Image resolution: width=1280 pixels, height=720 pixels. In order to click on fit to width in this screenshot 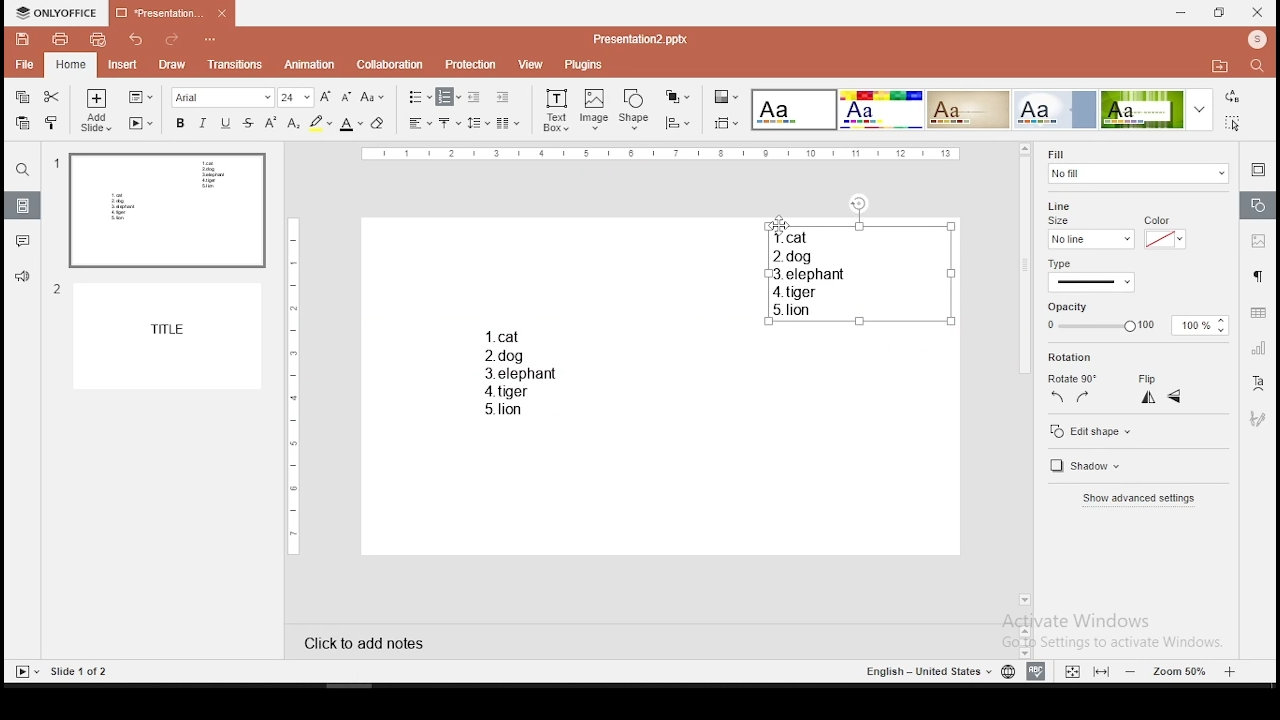, I will do `click(1102, 672)`.